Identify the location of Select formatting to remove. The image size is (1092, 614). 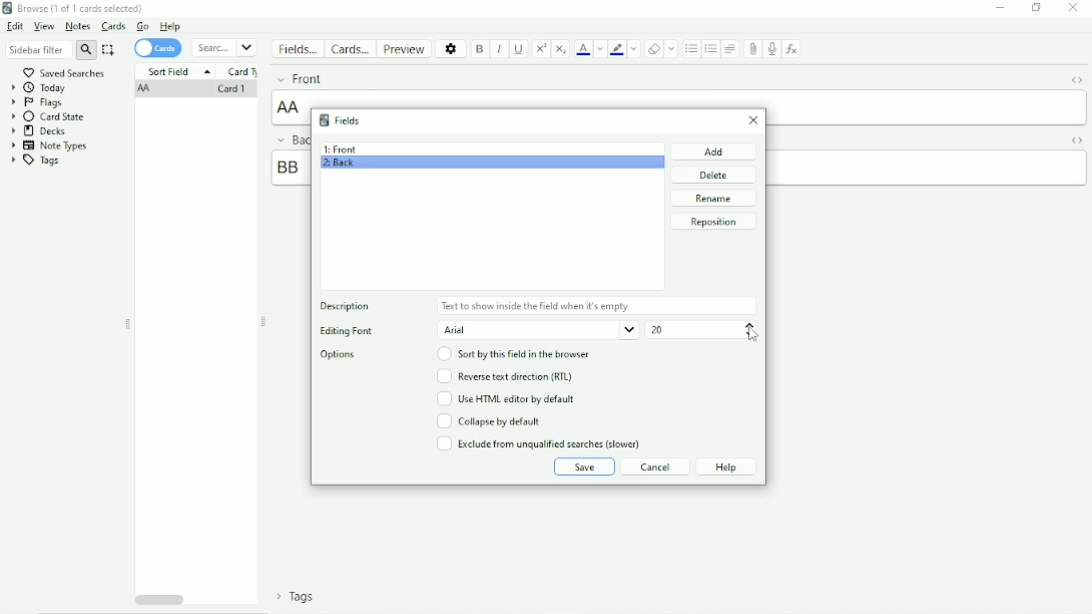
(672, 48).